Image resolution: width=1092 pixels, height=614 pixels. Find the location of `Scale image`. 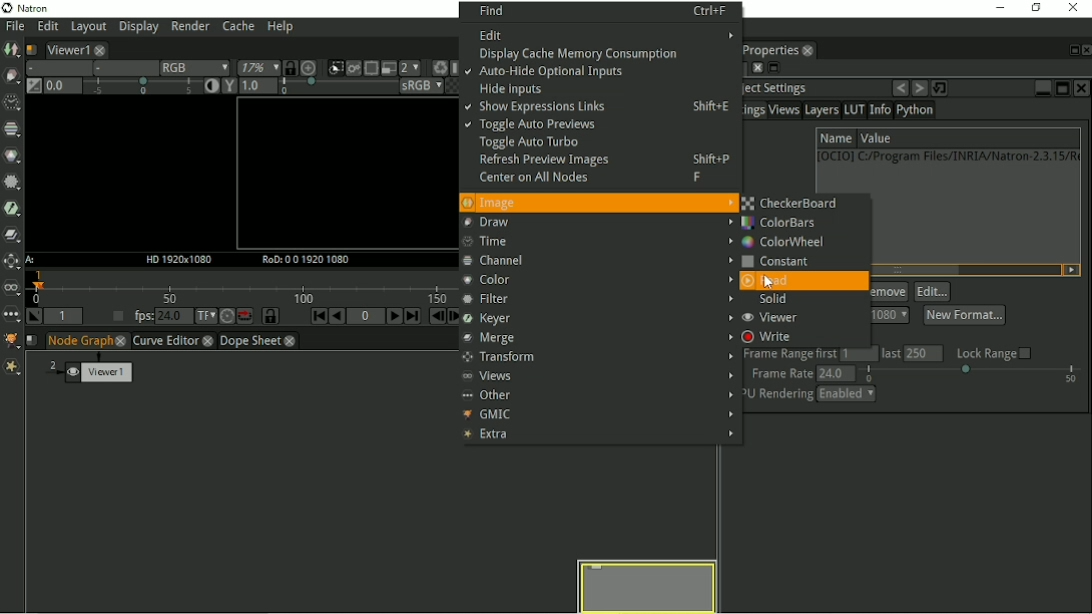

Scale image is located at coordinates (310, 67).